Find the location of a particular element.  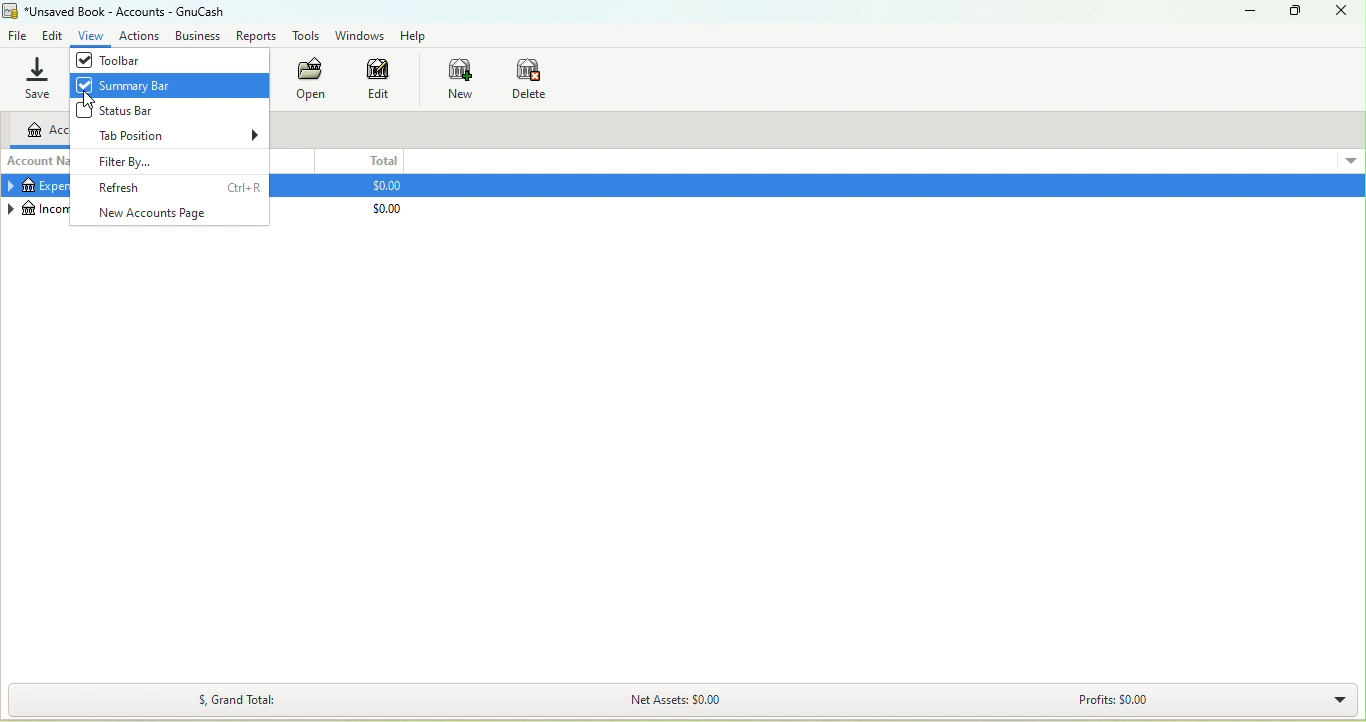

Collapse is located at coordinates (9, 208).